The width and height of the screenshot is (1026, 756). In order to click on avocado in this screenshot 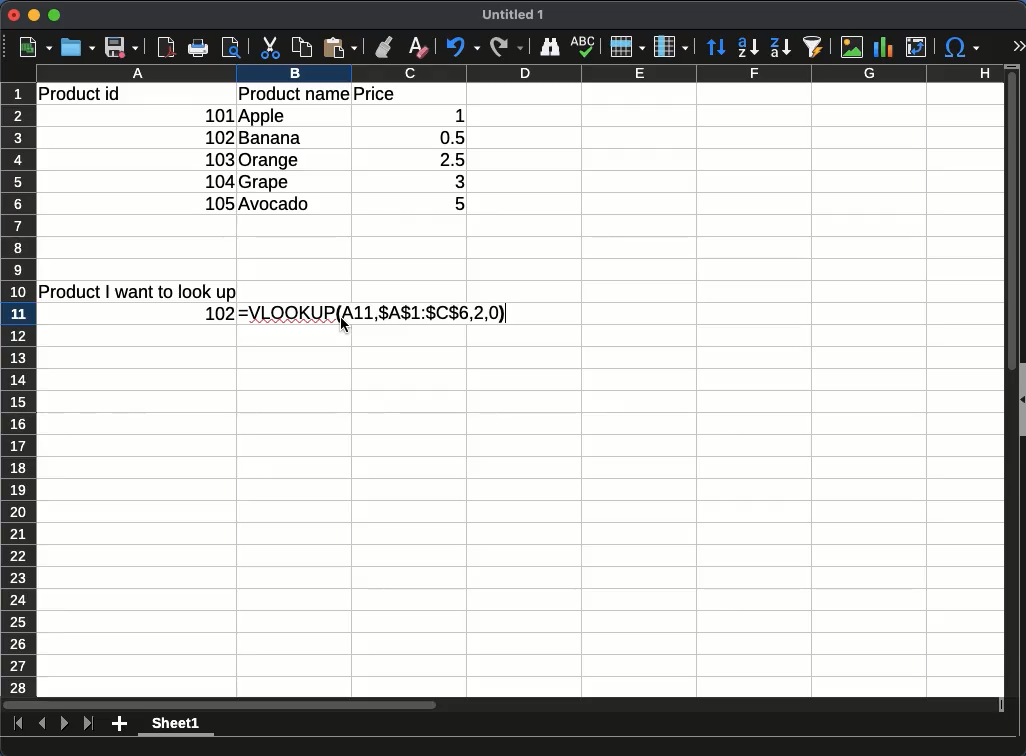, I will do `click(277, 204)`.